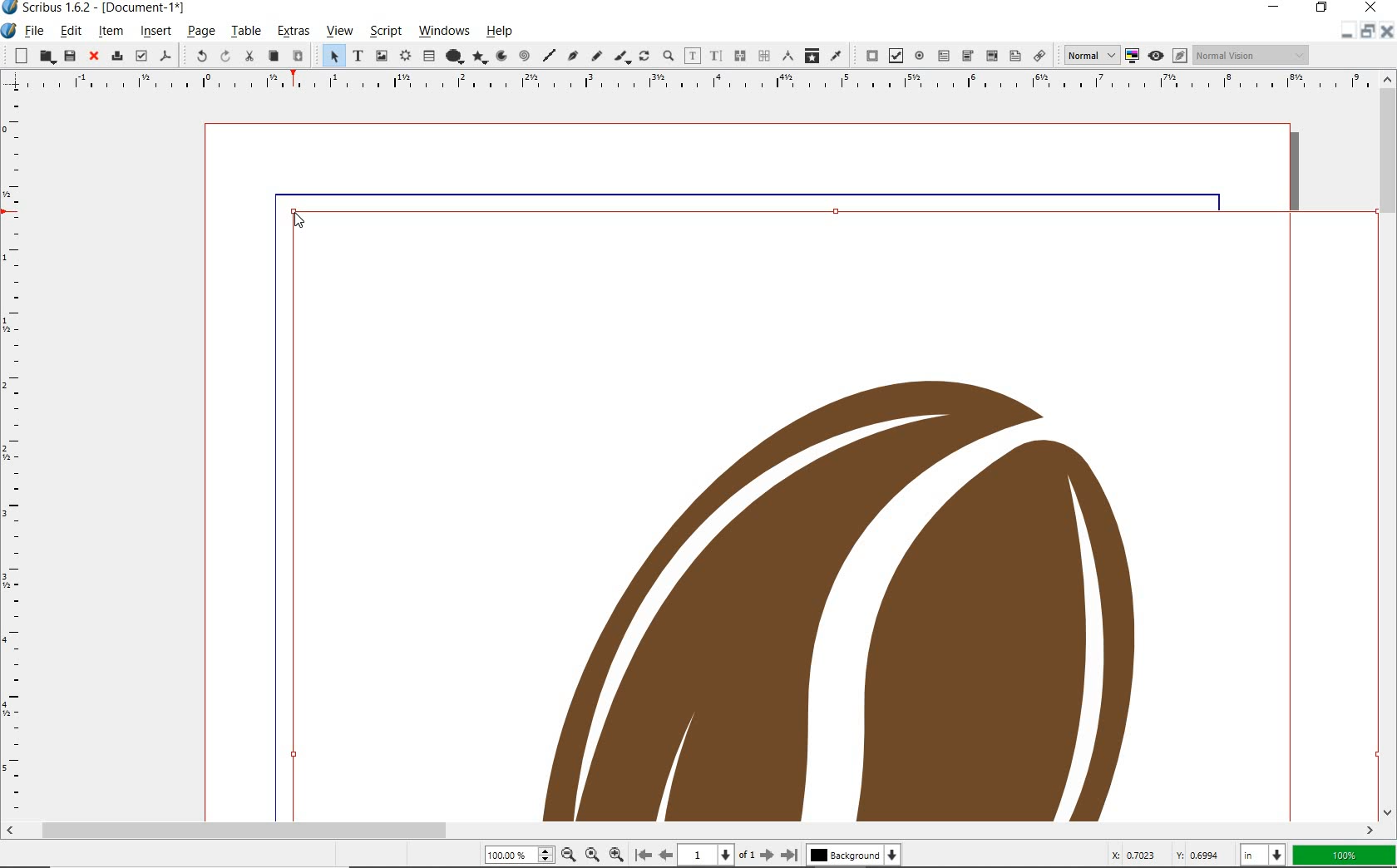  What do you see at coordinates (111, 32) in the screenshot?
I see `item` at bounding box center [111, 32].